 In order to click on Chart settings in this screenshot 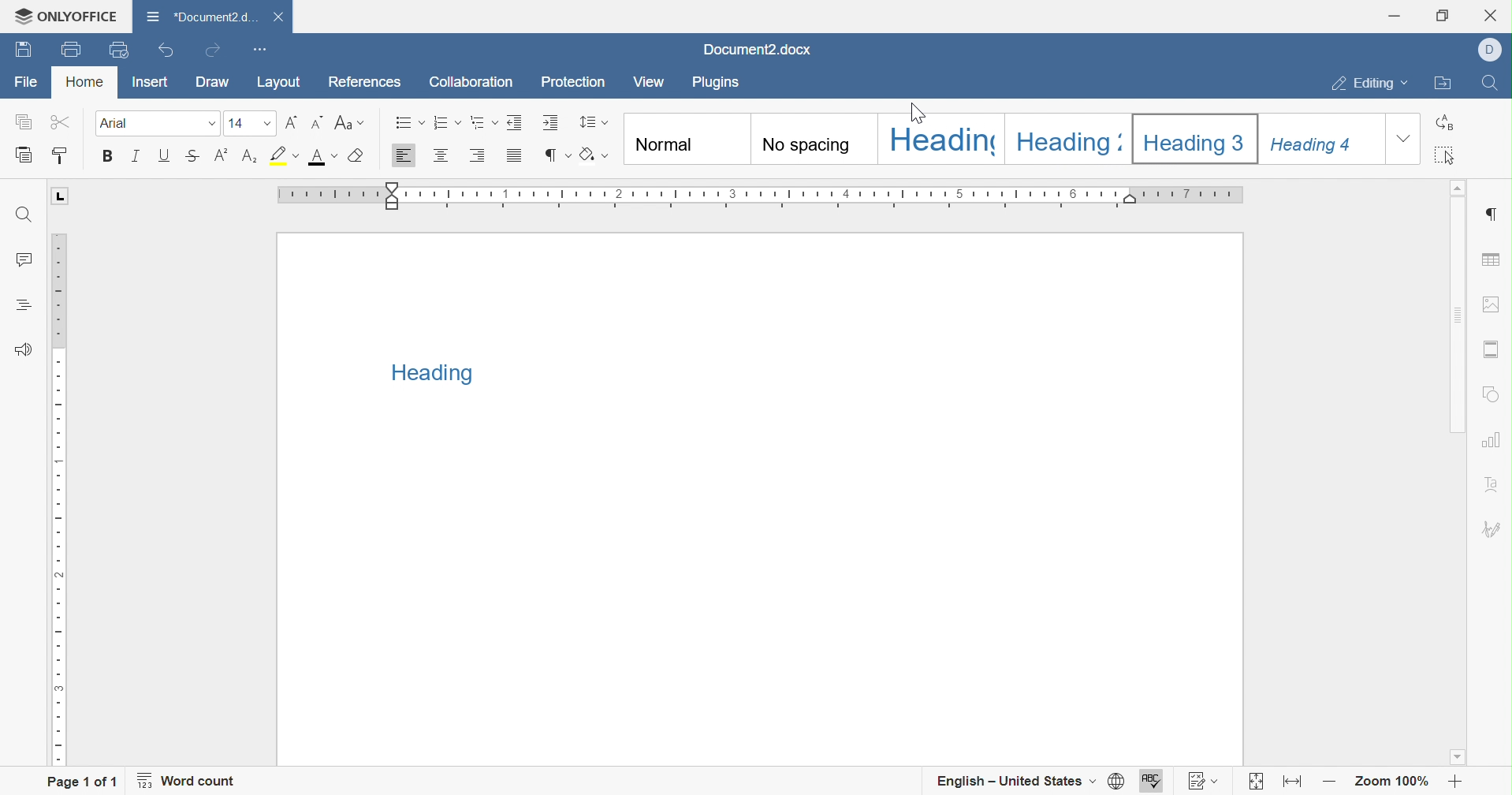, I will do `click(1495, 439)`.